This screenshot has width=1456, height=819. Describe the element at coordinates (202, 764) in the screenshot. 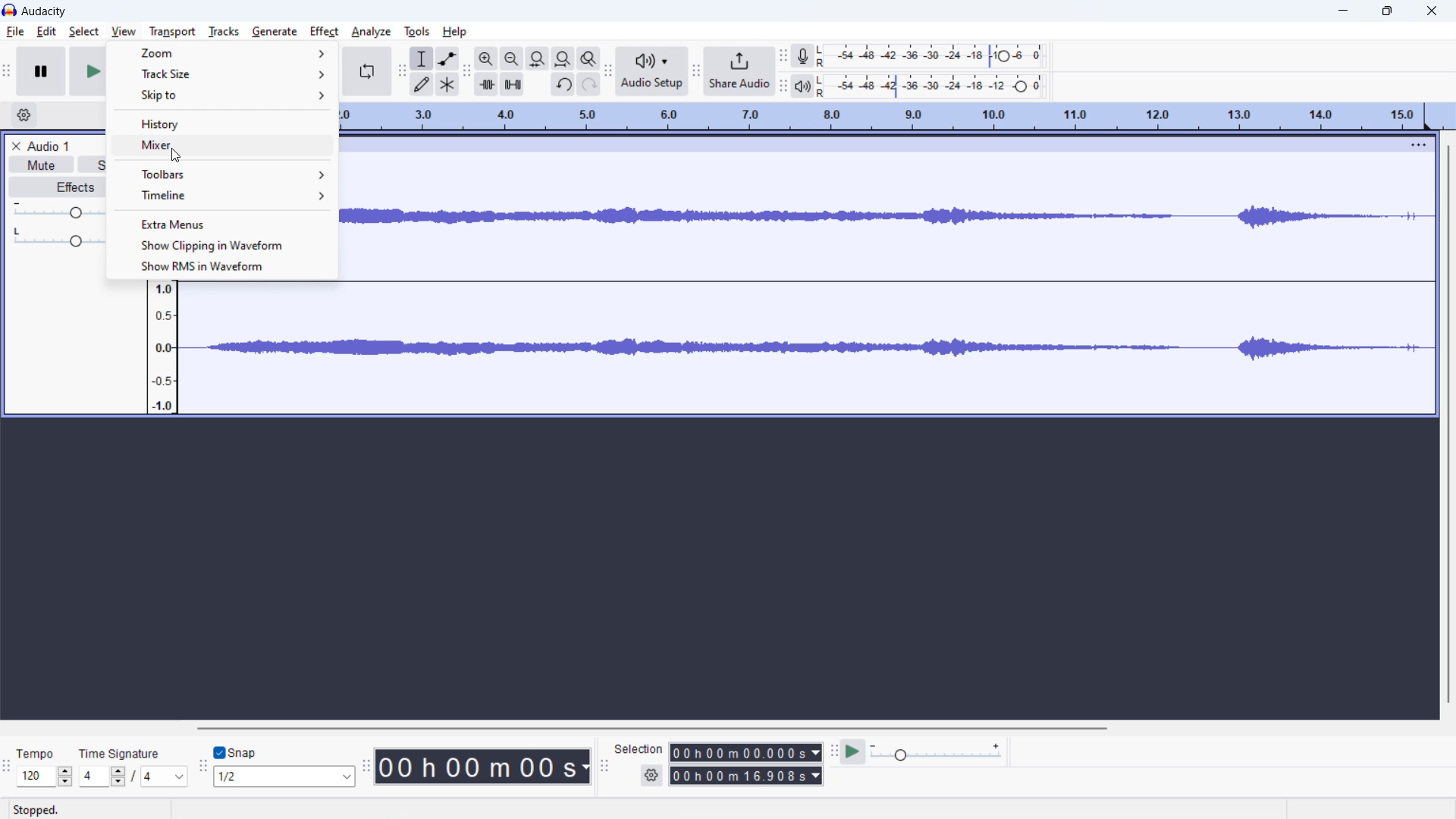

I see `snapping toolbar` at that location.